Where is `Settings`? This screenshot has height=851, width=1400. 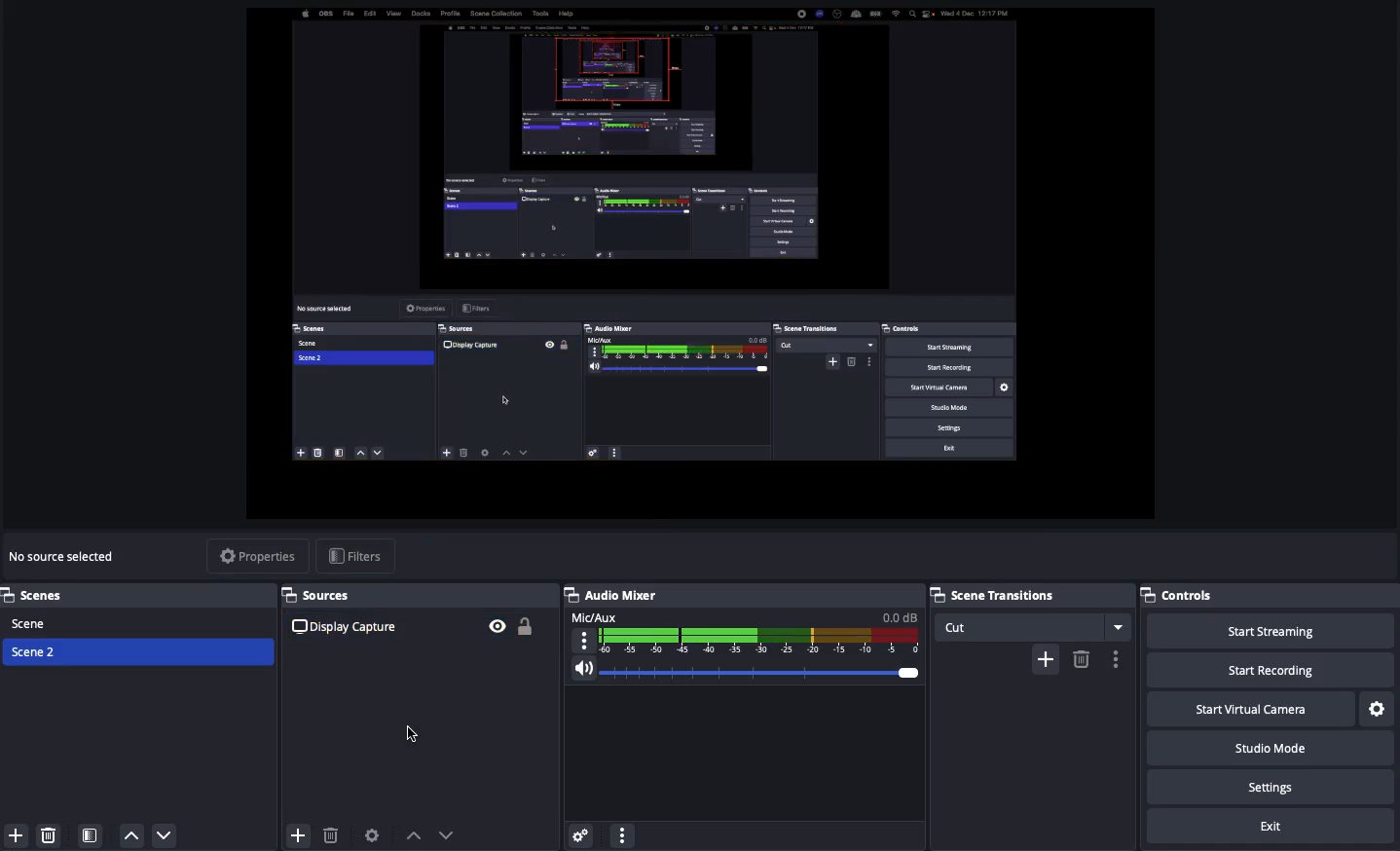
Settings is located at coordinates (1269, 786).